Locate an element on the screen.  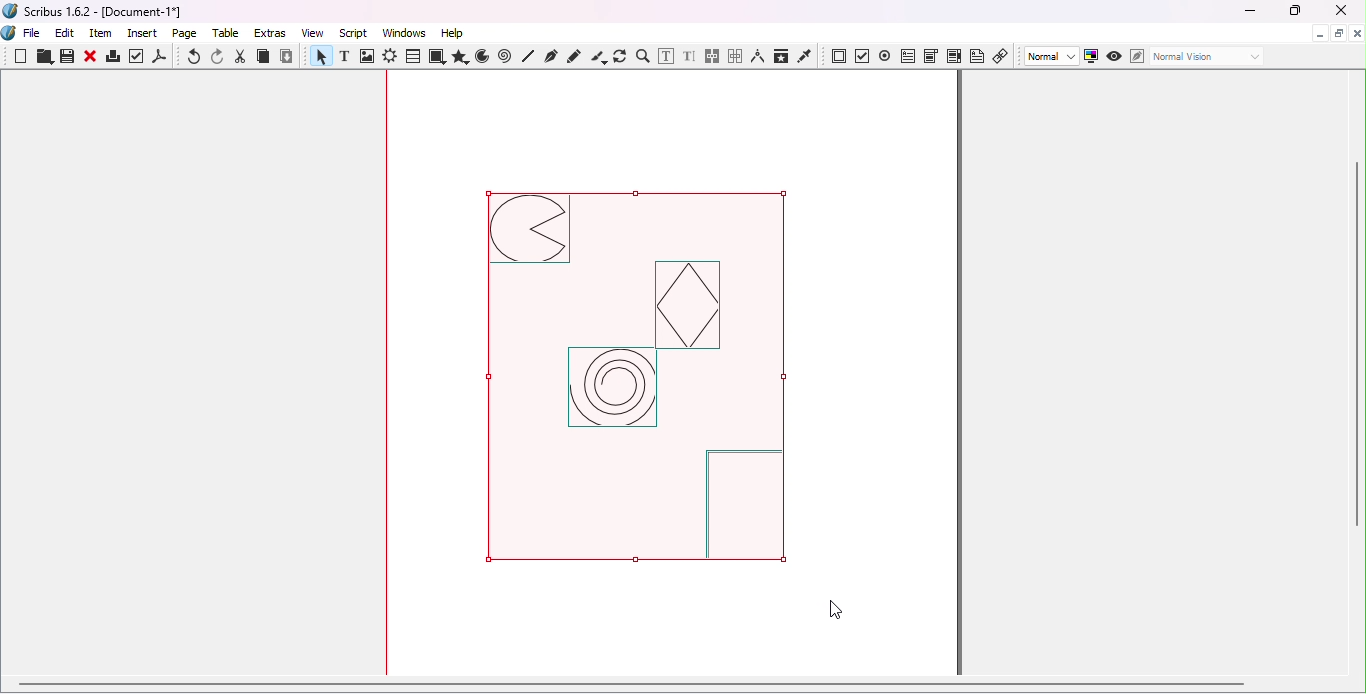
Edit in Preview mode is located at coordinates (1136, 55).